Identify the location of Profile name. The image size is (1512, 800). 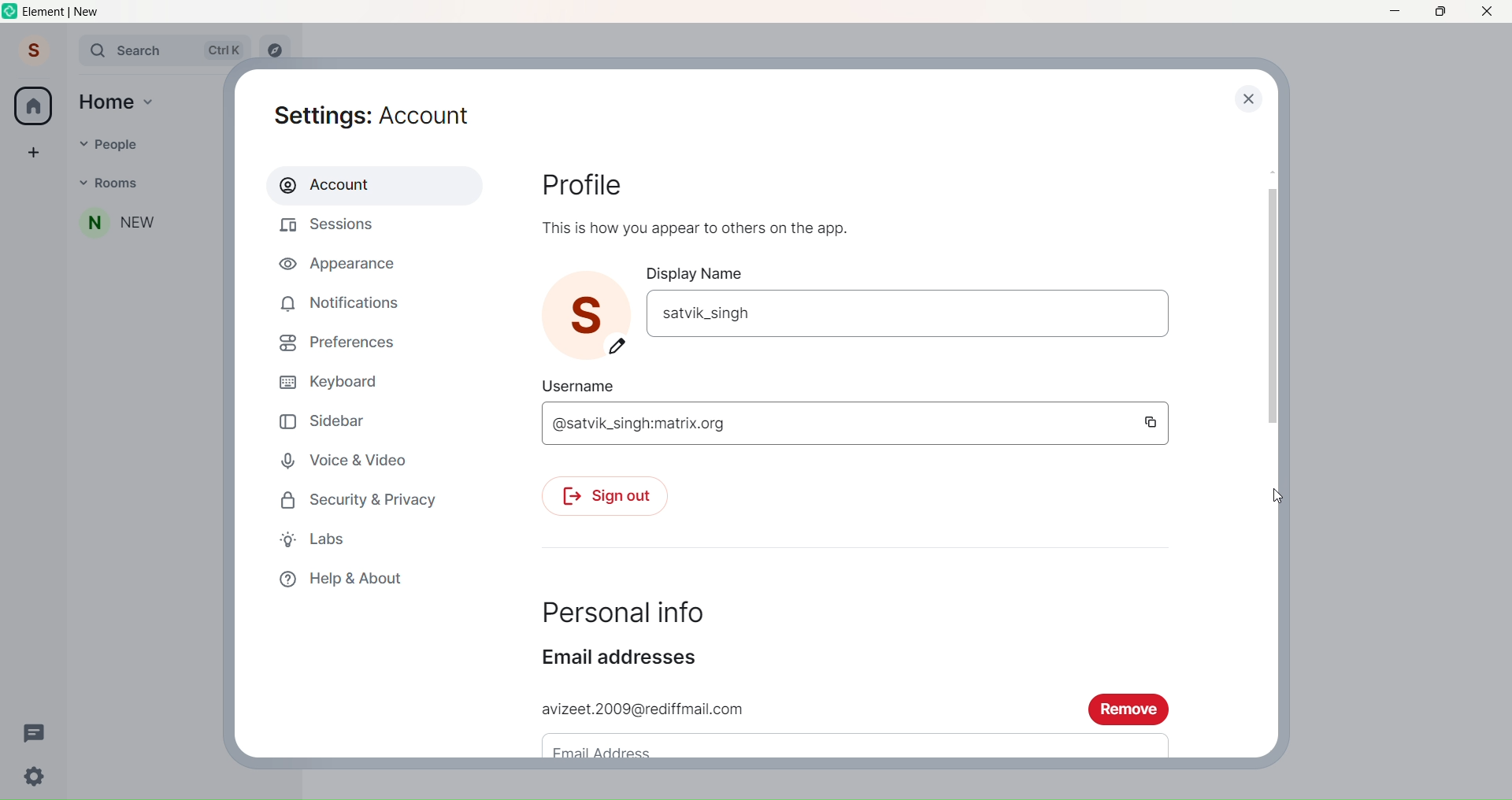
(590, 304).